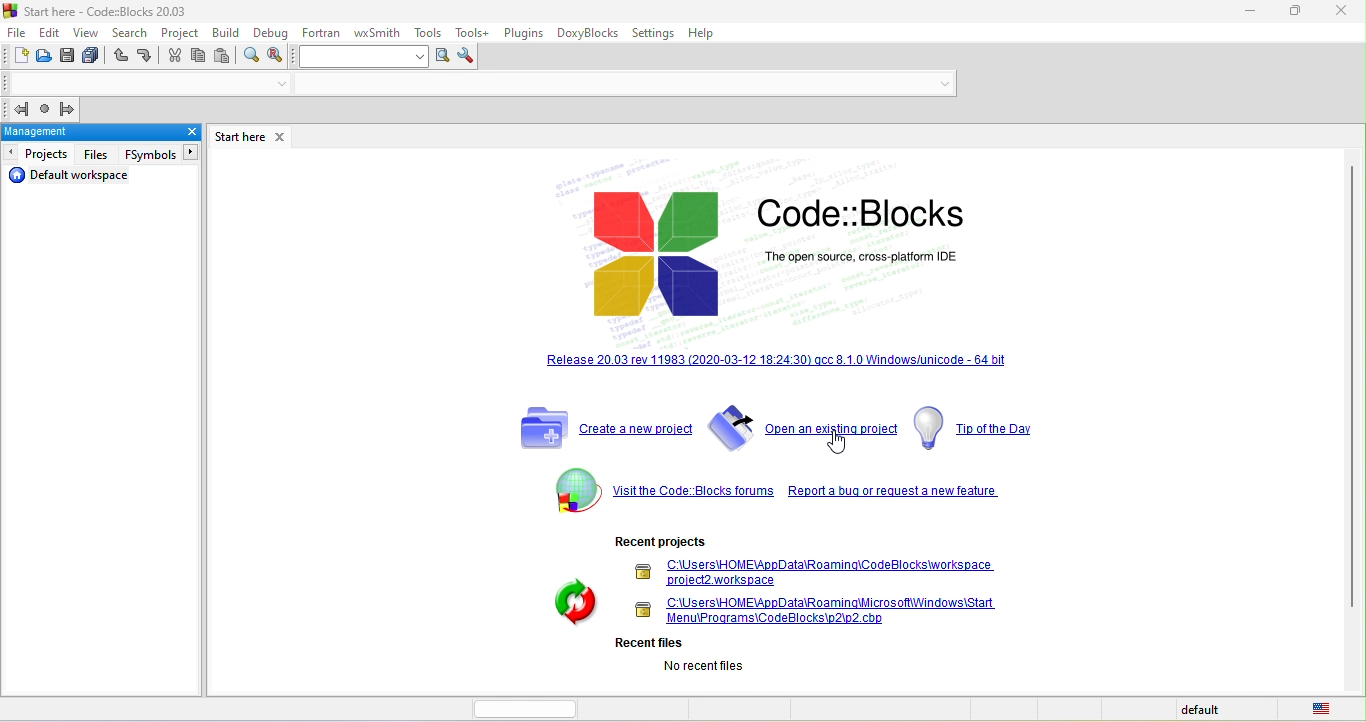 This screenshot has width=1366, height=722. Describe the element at coordinates (44, 57) in the screenshot. I see `open` at that location.